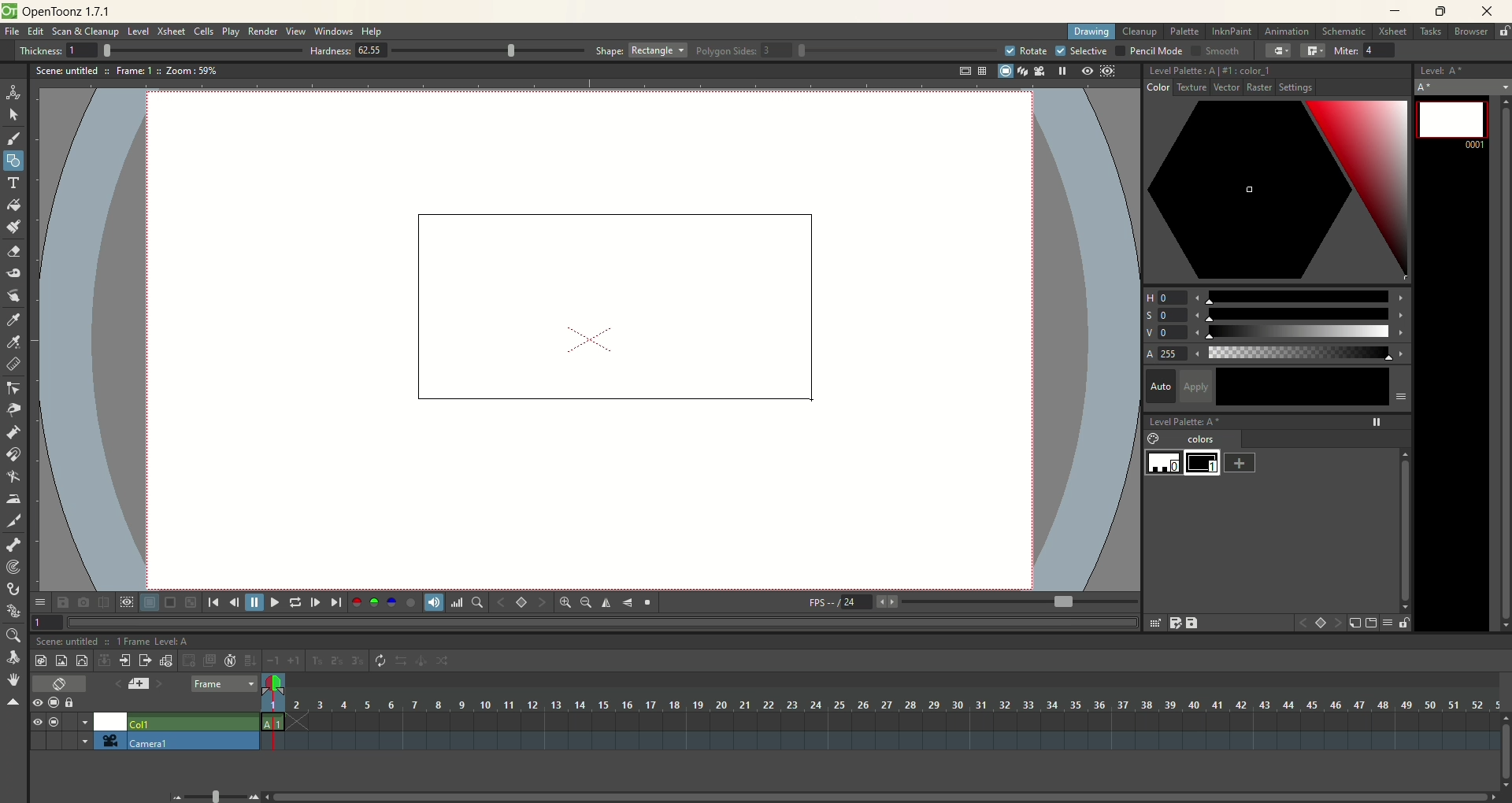  Describe the element at coordinates (232, 602) in the screenshot. I see `previous frame` at that location.